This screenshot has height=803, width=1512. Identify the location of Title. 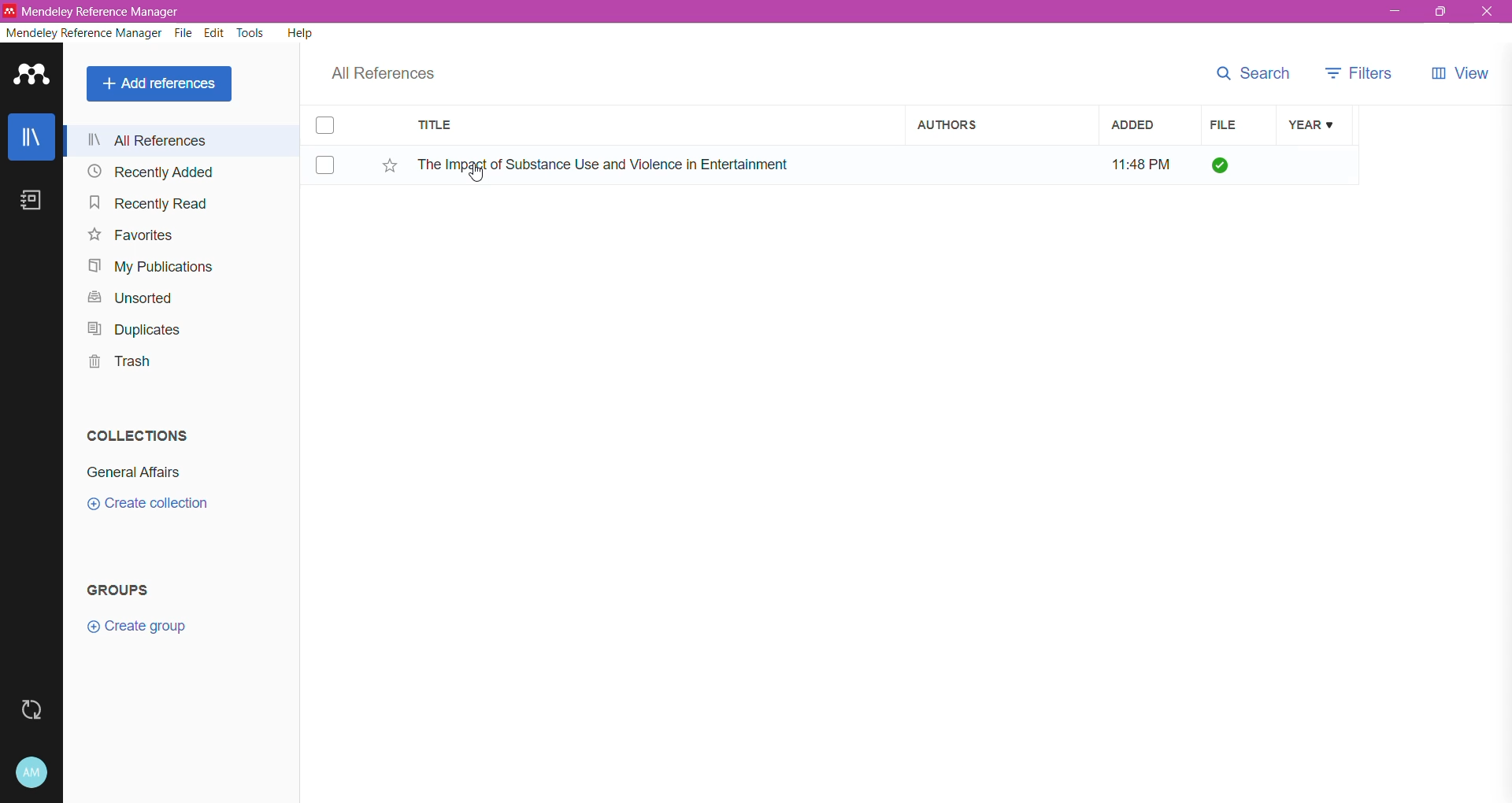
(651, 124).